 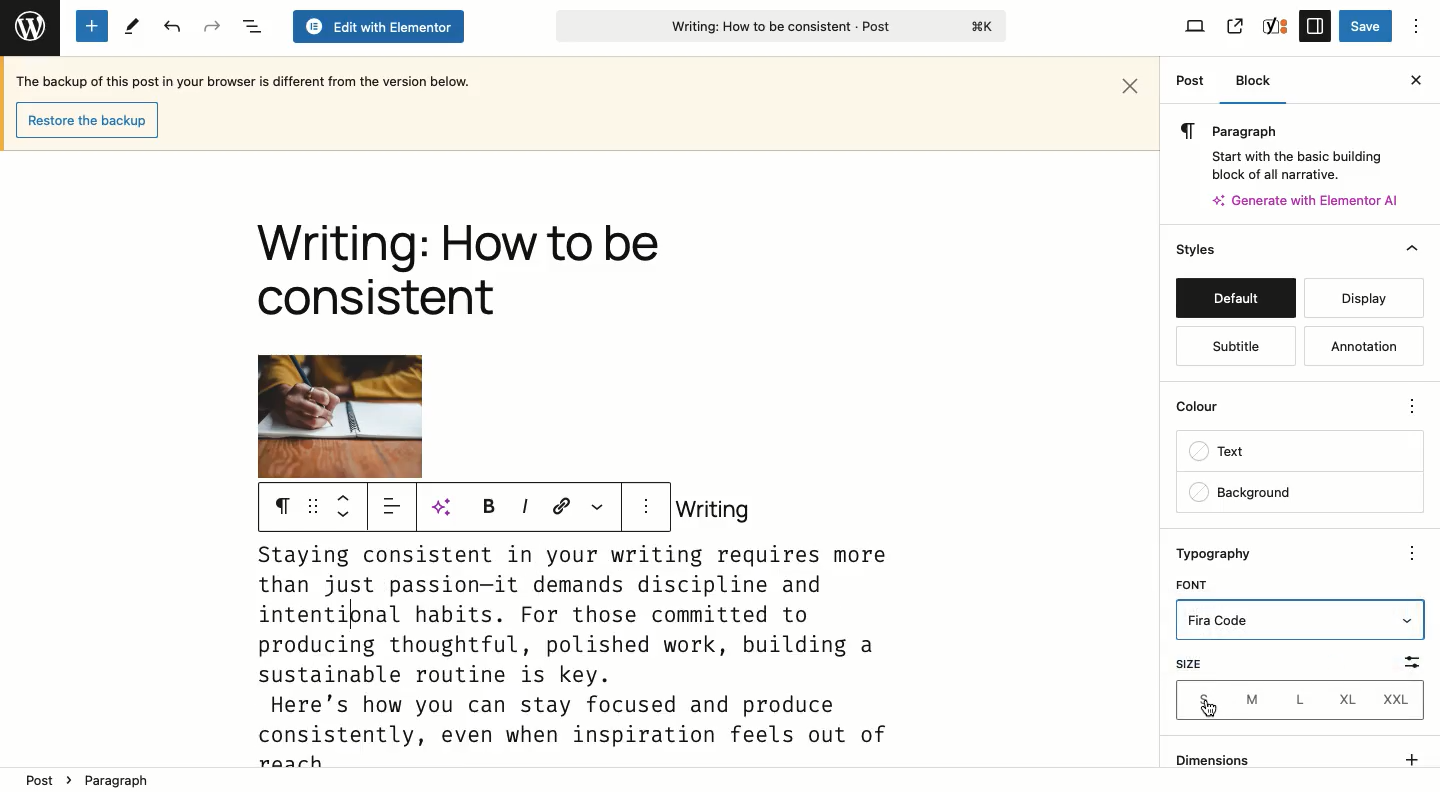 I want to click on FONT, so click(x=1194, y=583).